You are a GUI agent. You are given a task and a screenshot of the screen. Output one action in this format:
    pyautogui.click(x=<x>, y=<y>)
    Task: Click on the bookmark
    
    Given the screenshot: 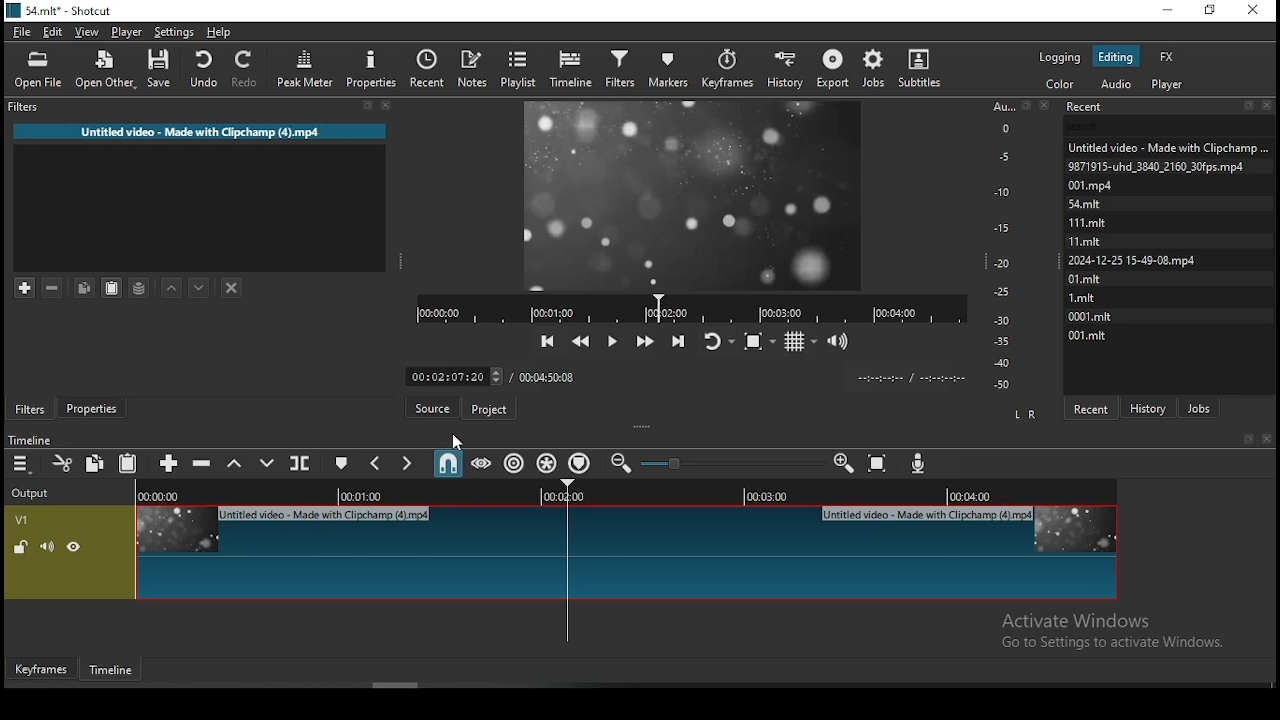 What is the action you would take?
    pyautogui.click(x=1247, y=439)
    